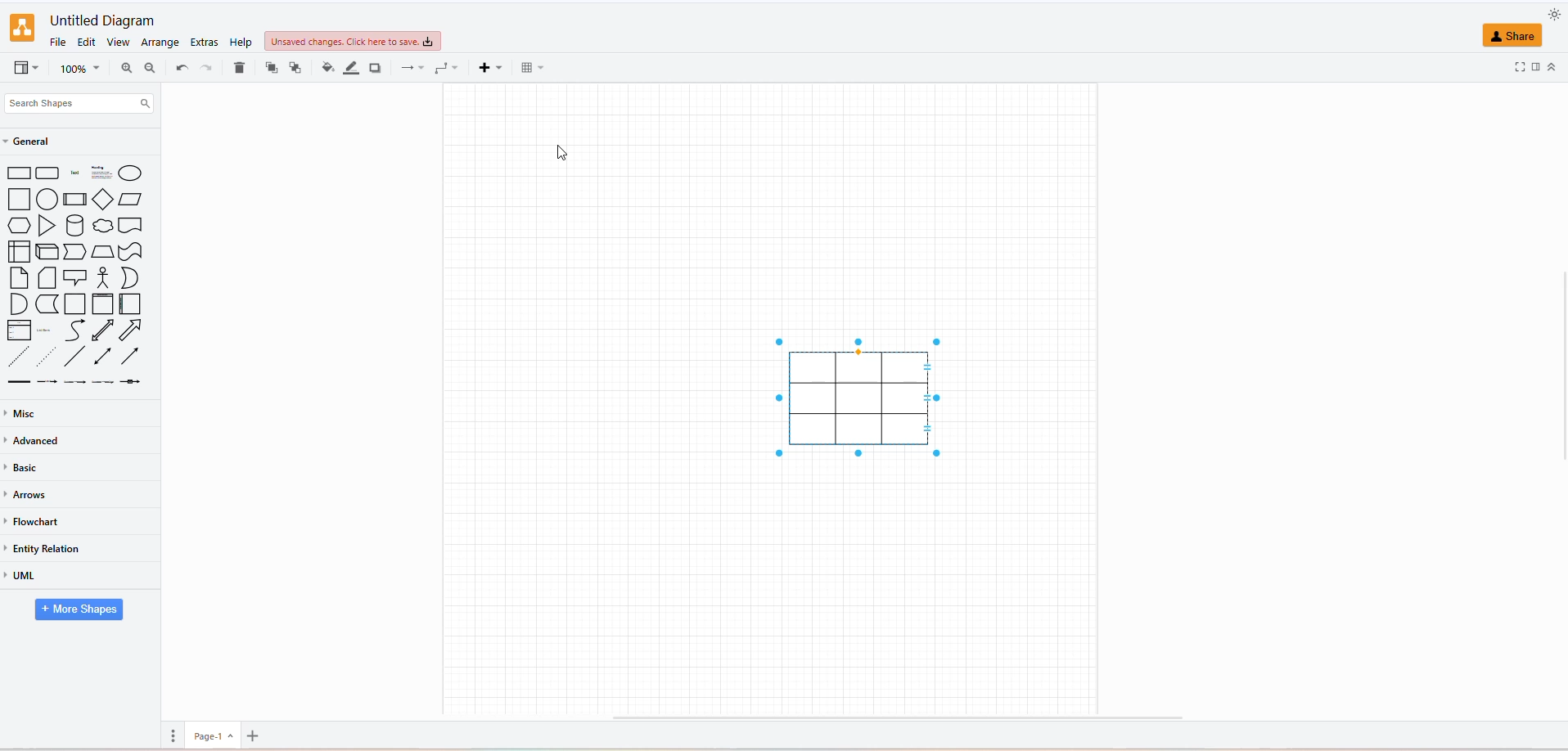 This screenshot has height=751, width=1568. I want to click on cursor, so click(567, 155).